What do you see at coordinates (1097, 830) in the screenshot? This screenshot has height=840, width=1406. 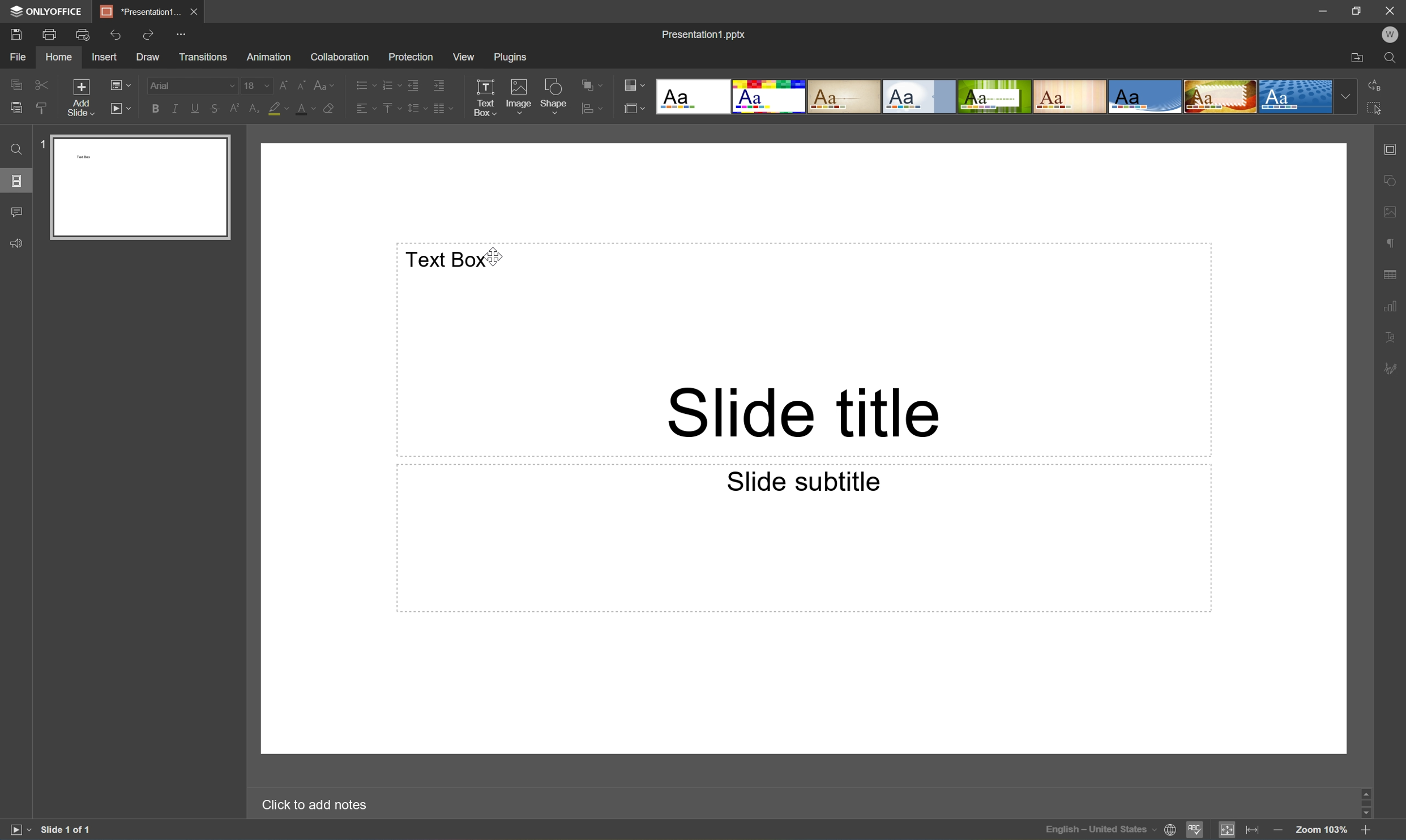 I see `English - United States` at bounding box center [1097, 830].